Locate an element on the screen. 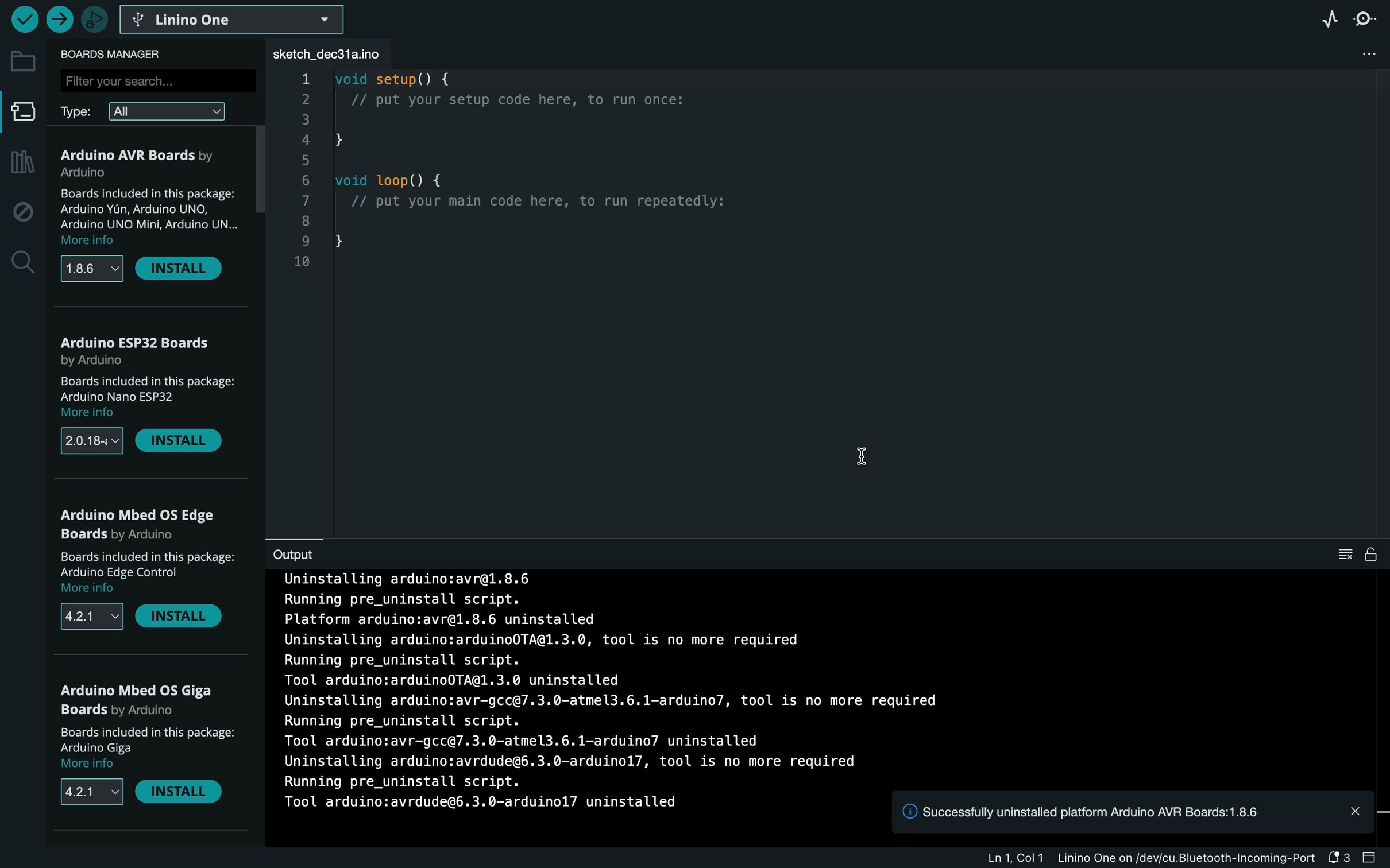 The image size is (1390, 868). versions is located at coordinates (93, 618).